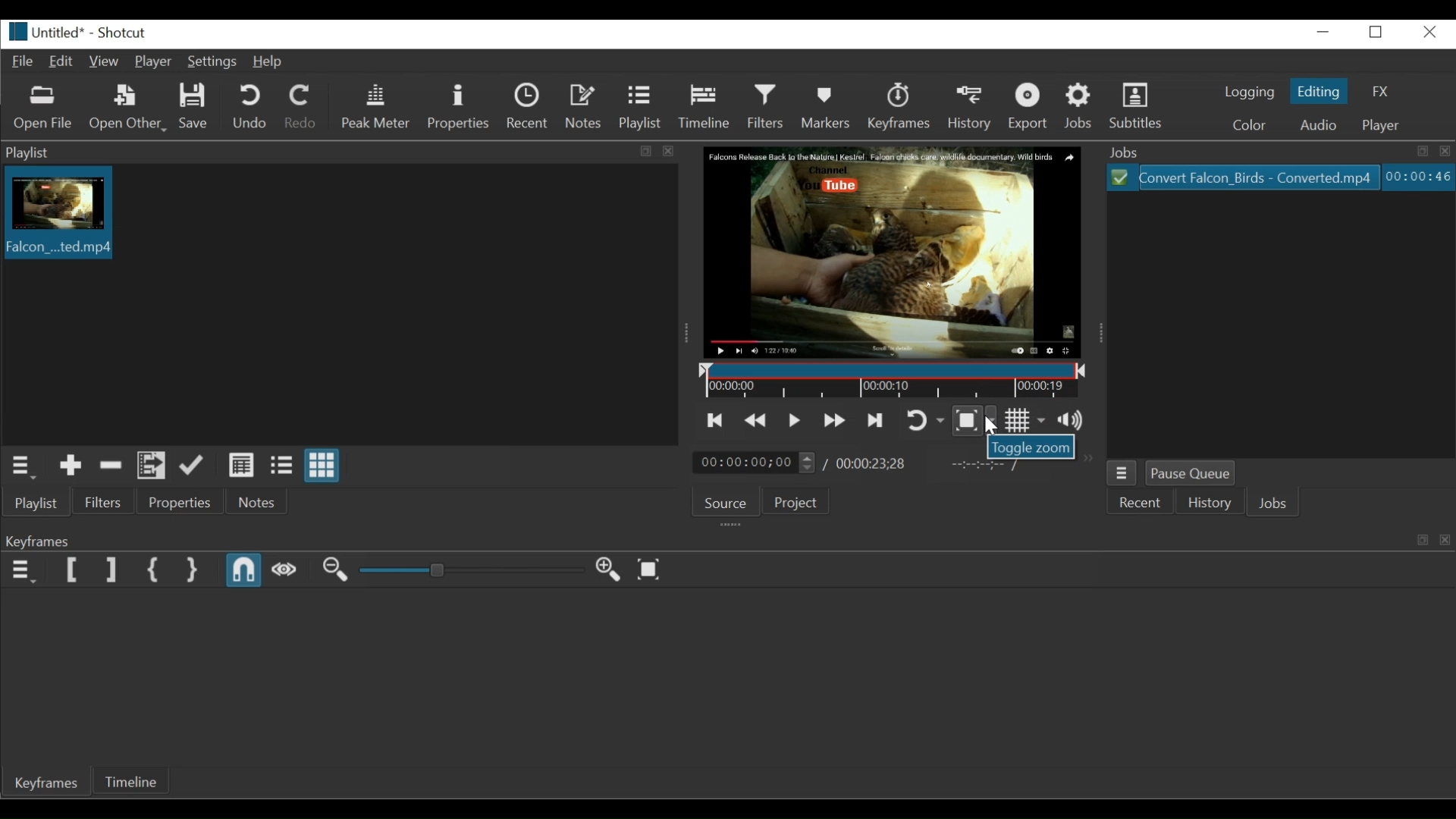  Describe the element at coordinates (1247, 91) in the screenshot. I see `logging` at that location.